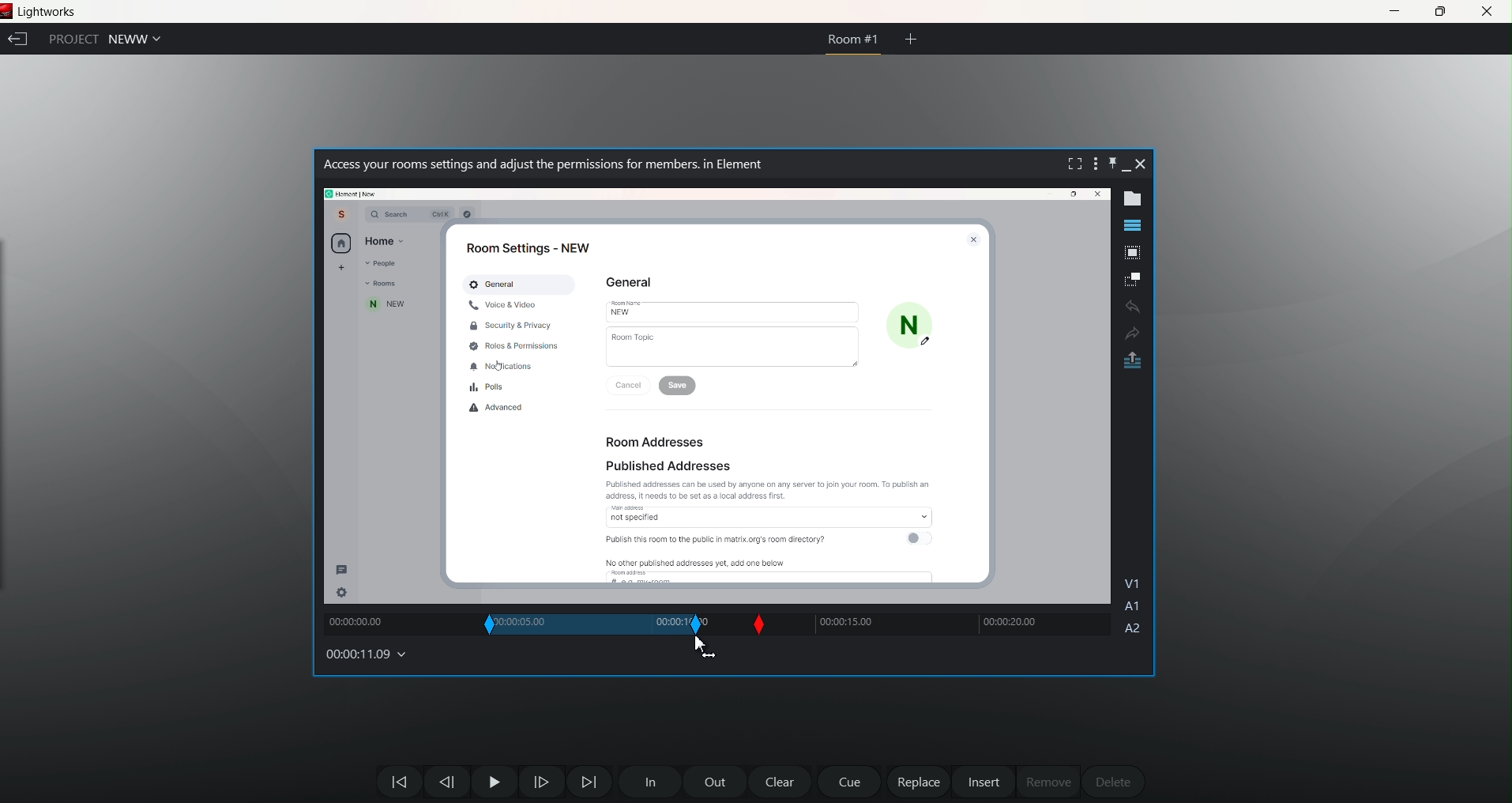 The width and height of the screenshot is (1512, 803). I want to click on A2, so click(1130, 631).